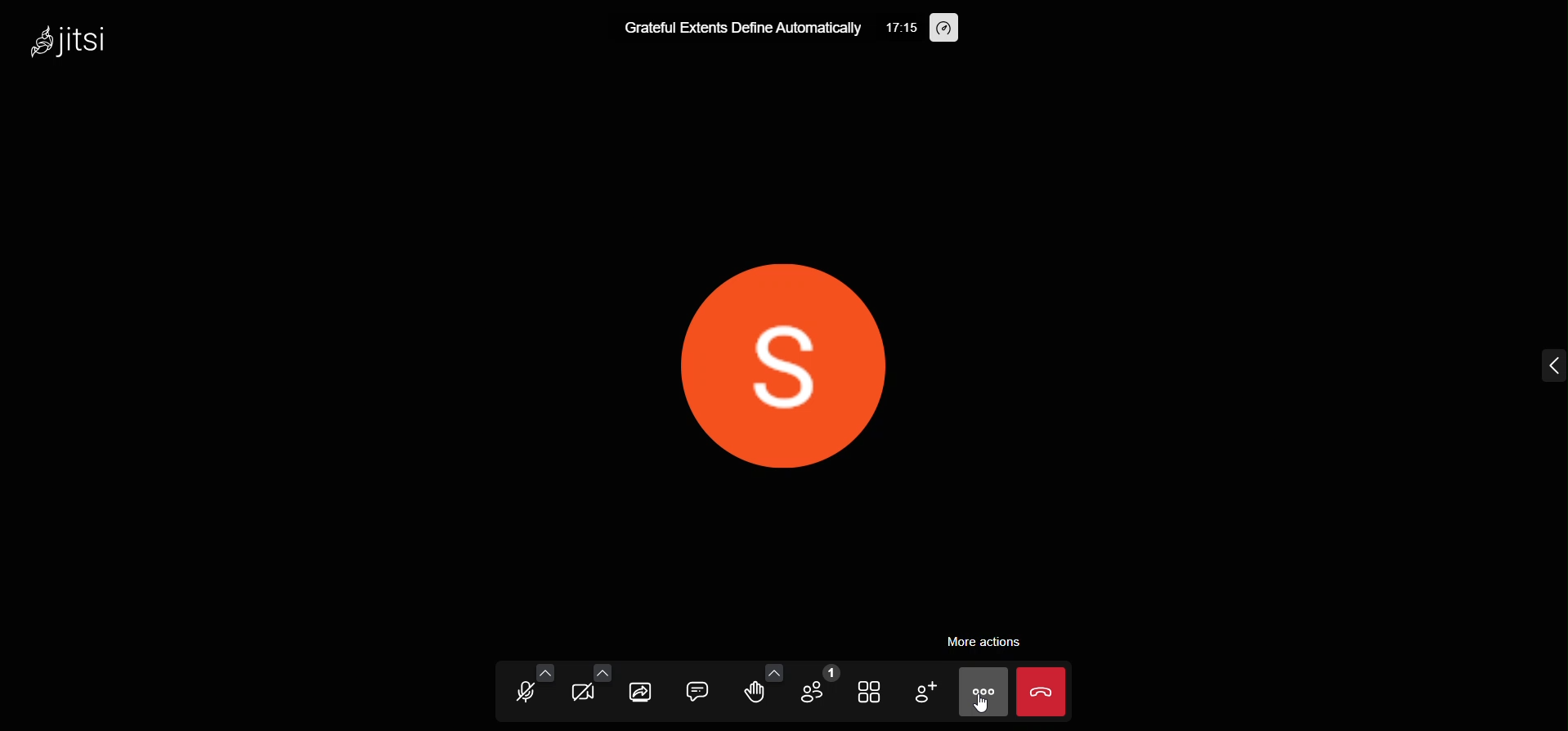 Image resolution: width=1568 pixels, height=731 pixels. What do you see at coordinates (906, 28) in the screenshot?
I see `time` at bounding box center [906, 28].